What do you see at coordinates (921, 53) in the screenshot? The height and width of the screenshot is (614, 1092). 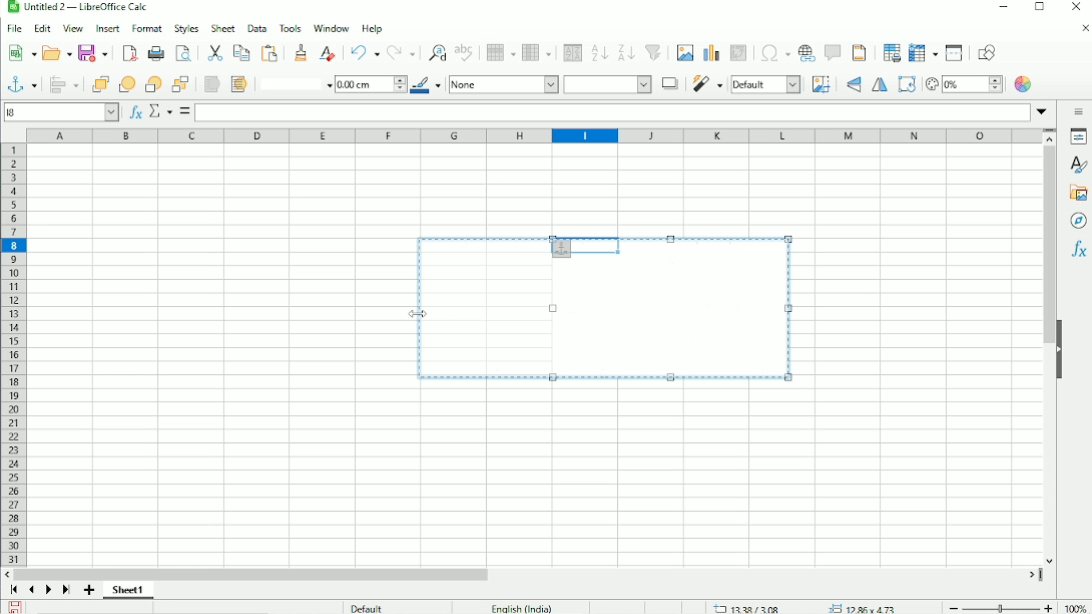 I see `Freeze rows and columns` at bounding box center [921, 53].